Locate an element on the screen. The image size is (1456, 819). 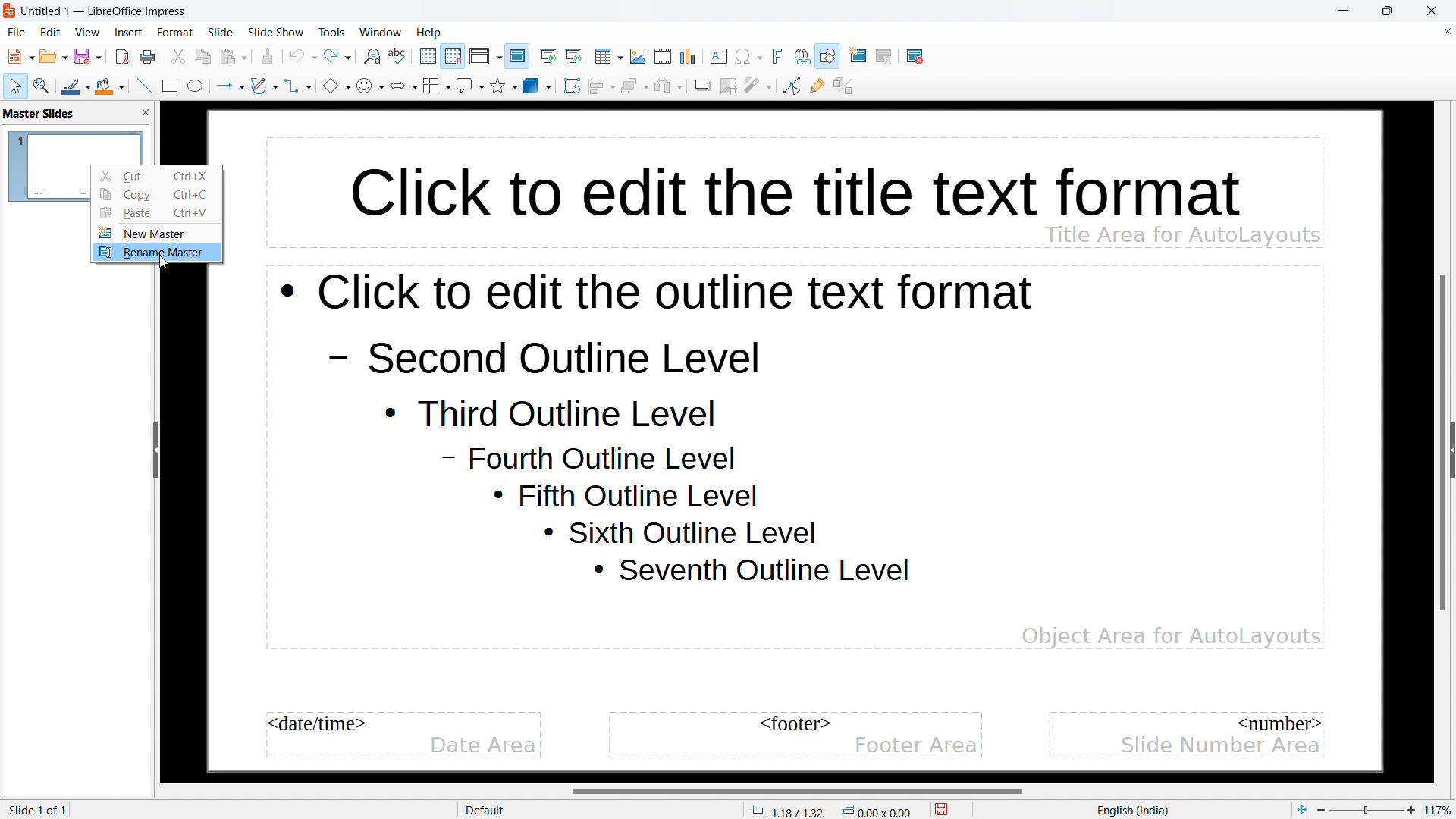
footer area is located at coordinates (917, 745).